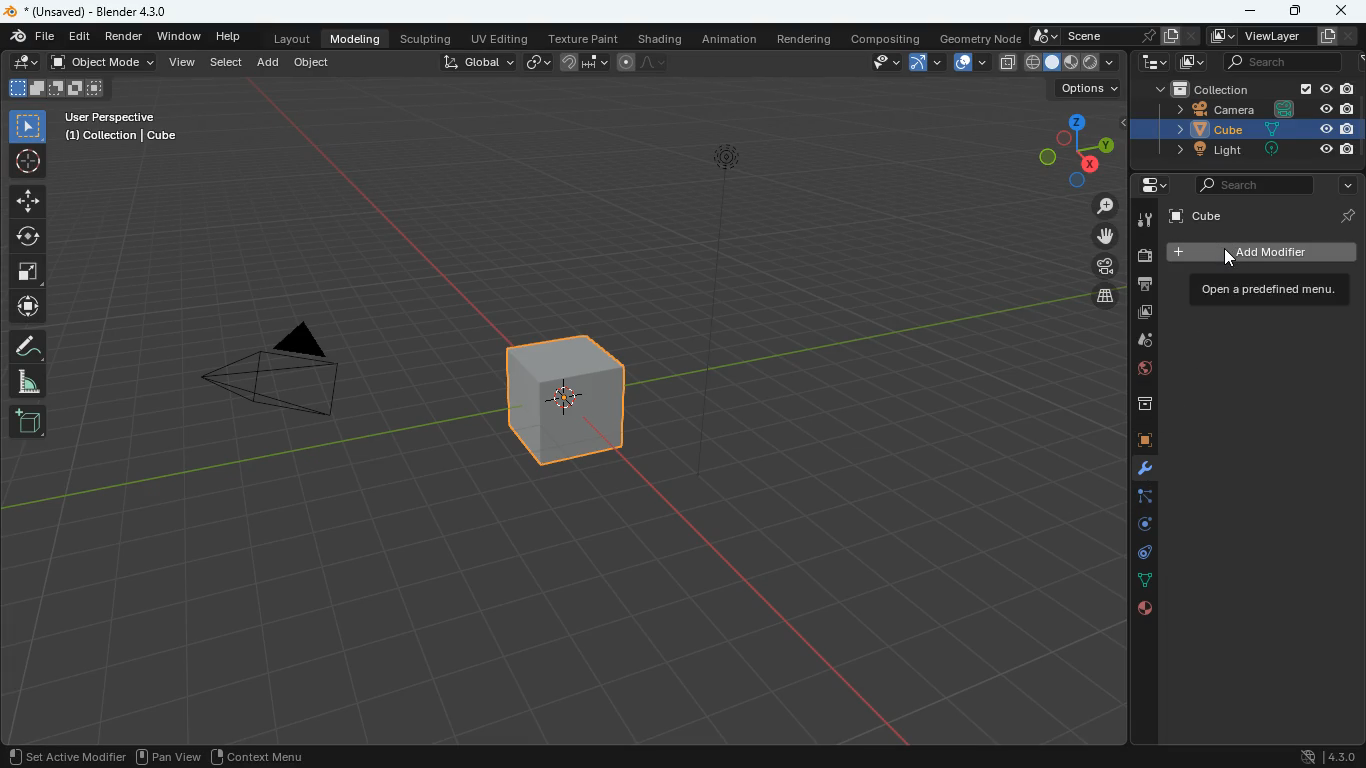 The width and height of the screenshot is (1366, 768). Describe the element at coordinates (1141, 471) in the screenshot. I see `modifiers` at that location.